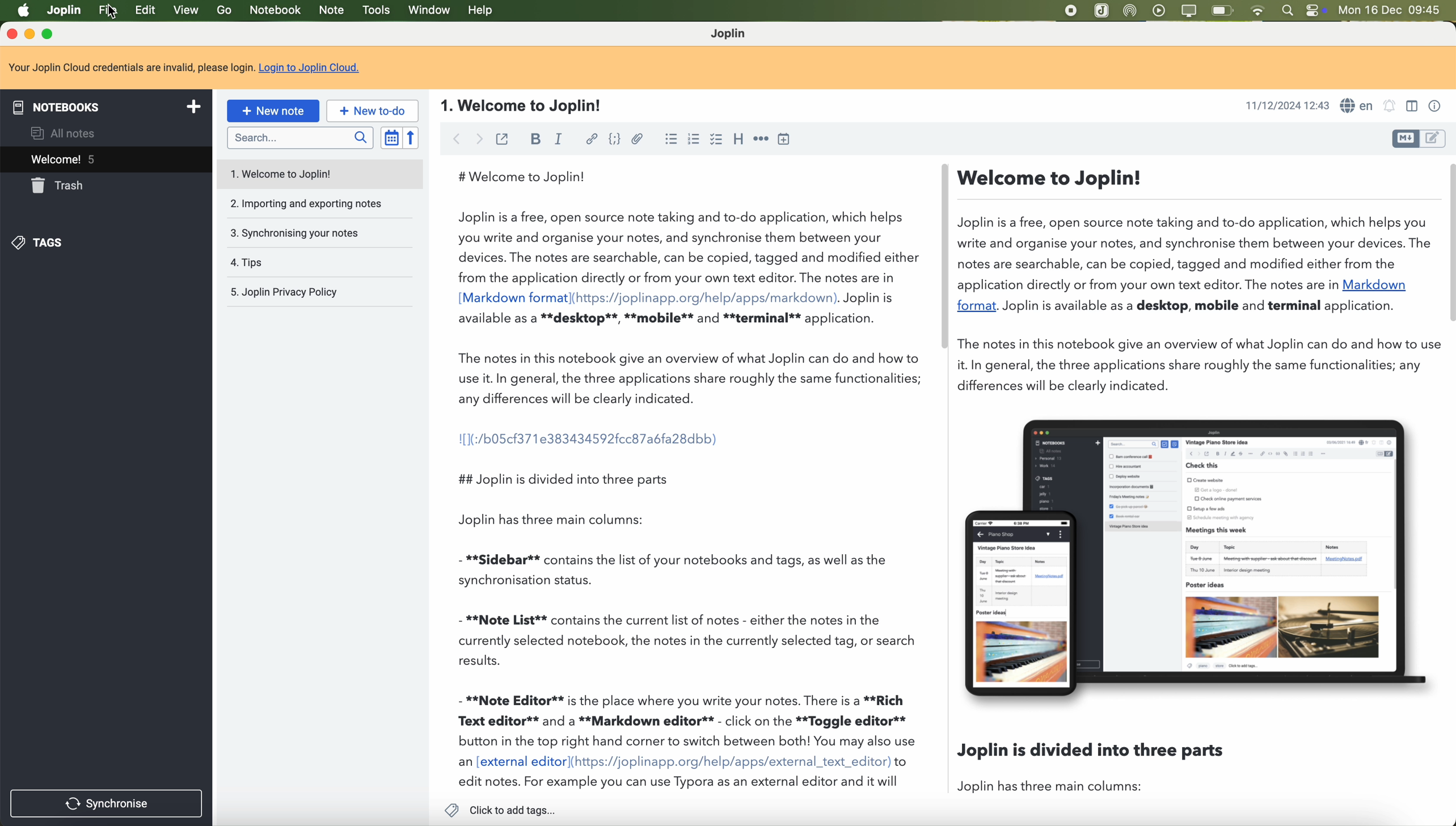 The image size is (1456, 826). Describe the element at coordinates (718, 140) in the screenshot. I see `checkbox` at that location.